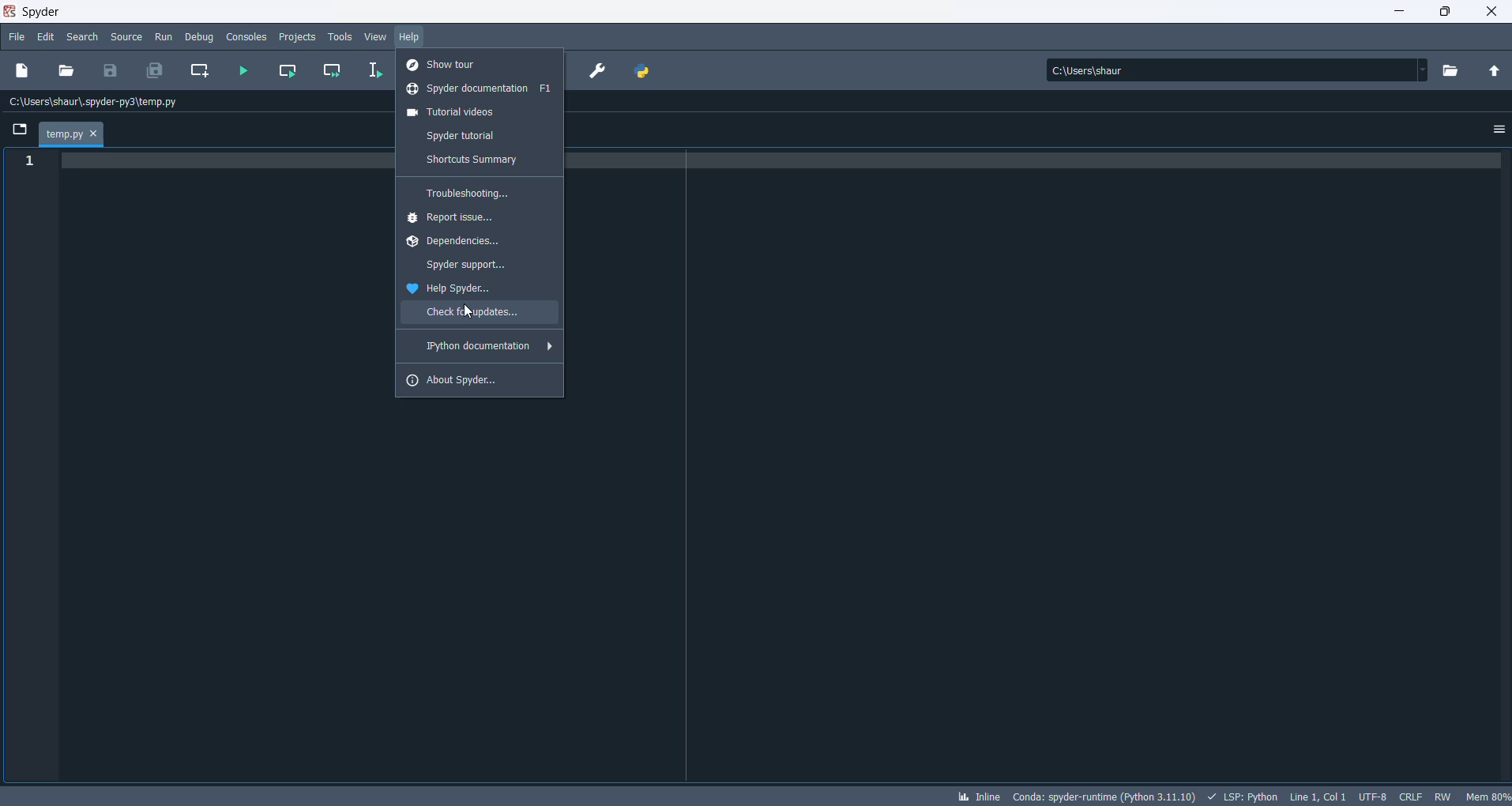 The image size is (1512, 806). What do you see at coordinates (478, 314) in the screenshot?
I see `check for updates` at bounding box center [478, 314].